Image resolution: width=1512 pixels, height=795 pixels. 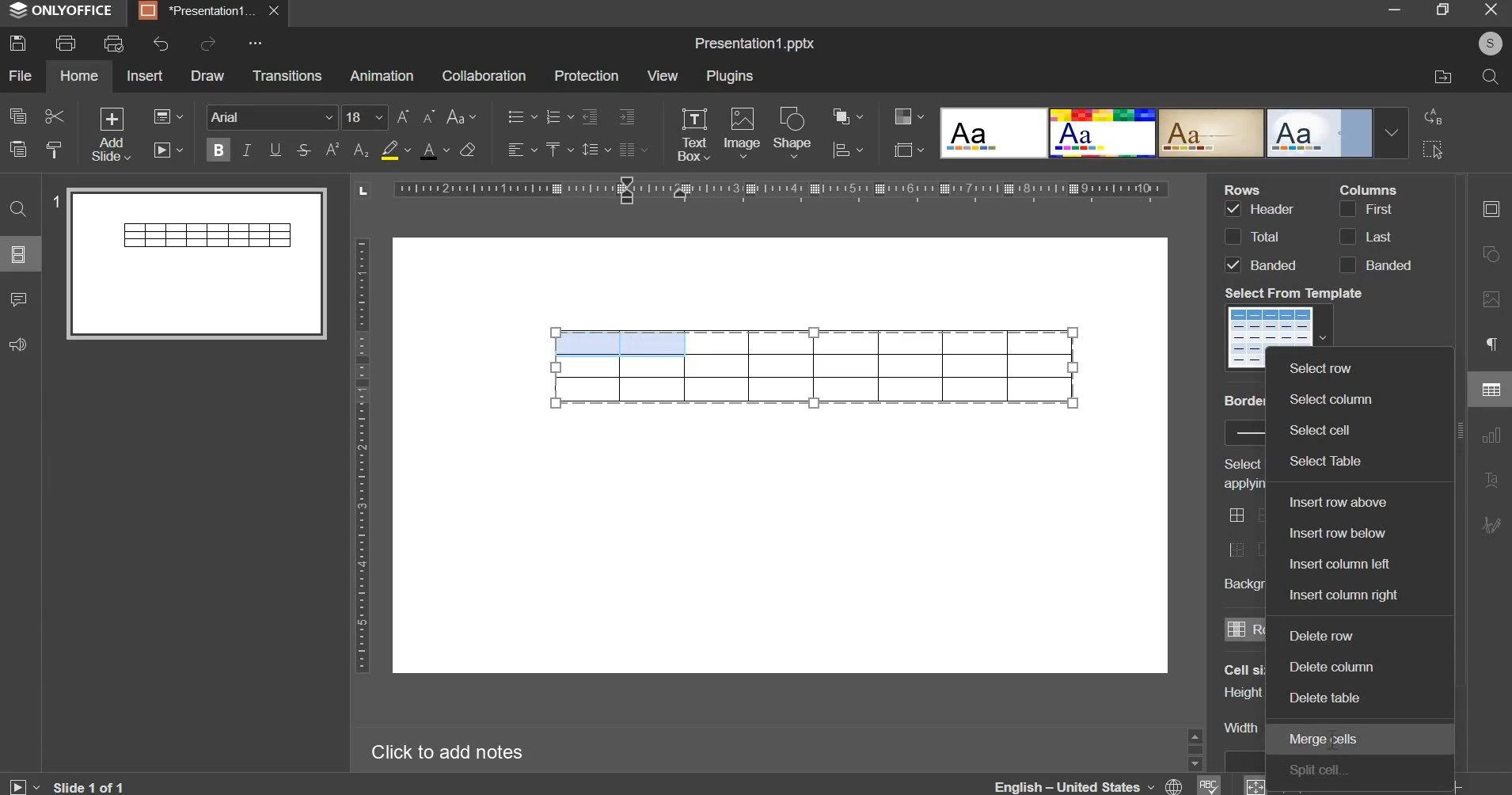 What do you see at coordinates (389, 117) in the screenshot?
I see `font size` at bounding box center [389, 117].